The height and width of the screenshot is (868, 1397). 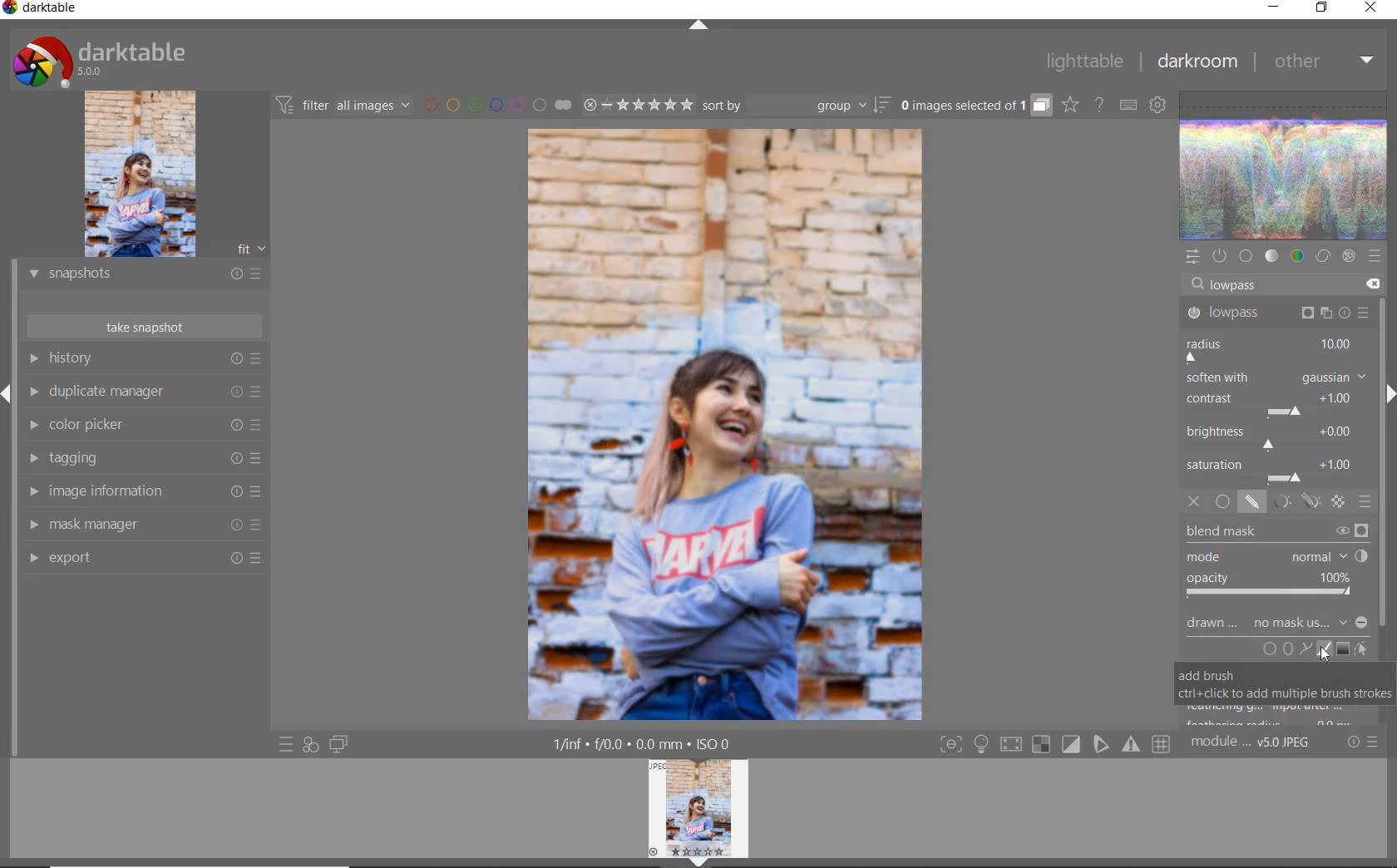 What do you see at coordinates (143, 526) in the screenshot?
I see `mask manager` at bounding box center [143, 526].